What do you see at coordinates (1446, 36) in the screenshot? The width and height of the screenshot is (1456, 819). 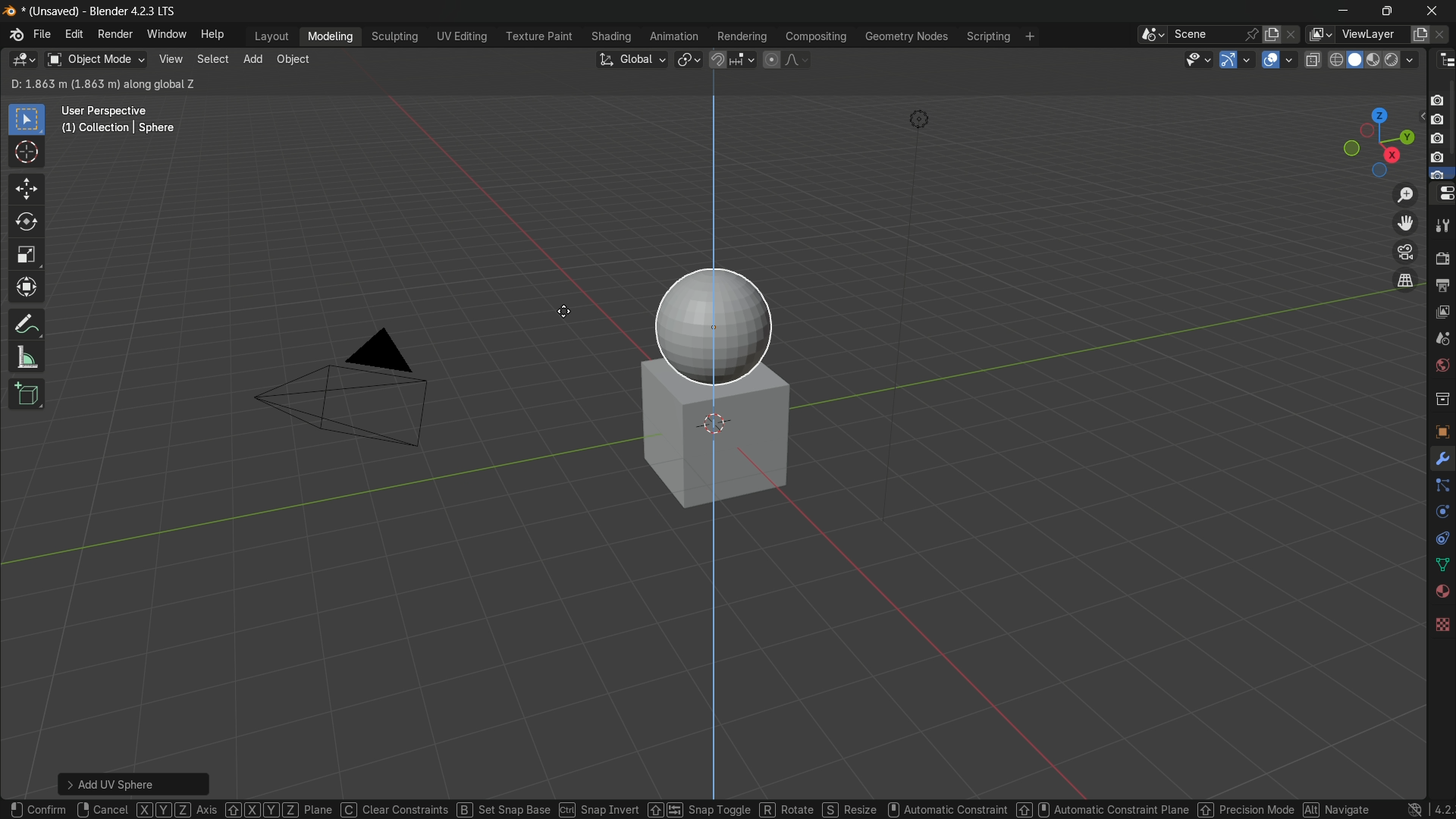 I see `remove layer` at bounding box center [1446, 36].